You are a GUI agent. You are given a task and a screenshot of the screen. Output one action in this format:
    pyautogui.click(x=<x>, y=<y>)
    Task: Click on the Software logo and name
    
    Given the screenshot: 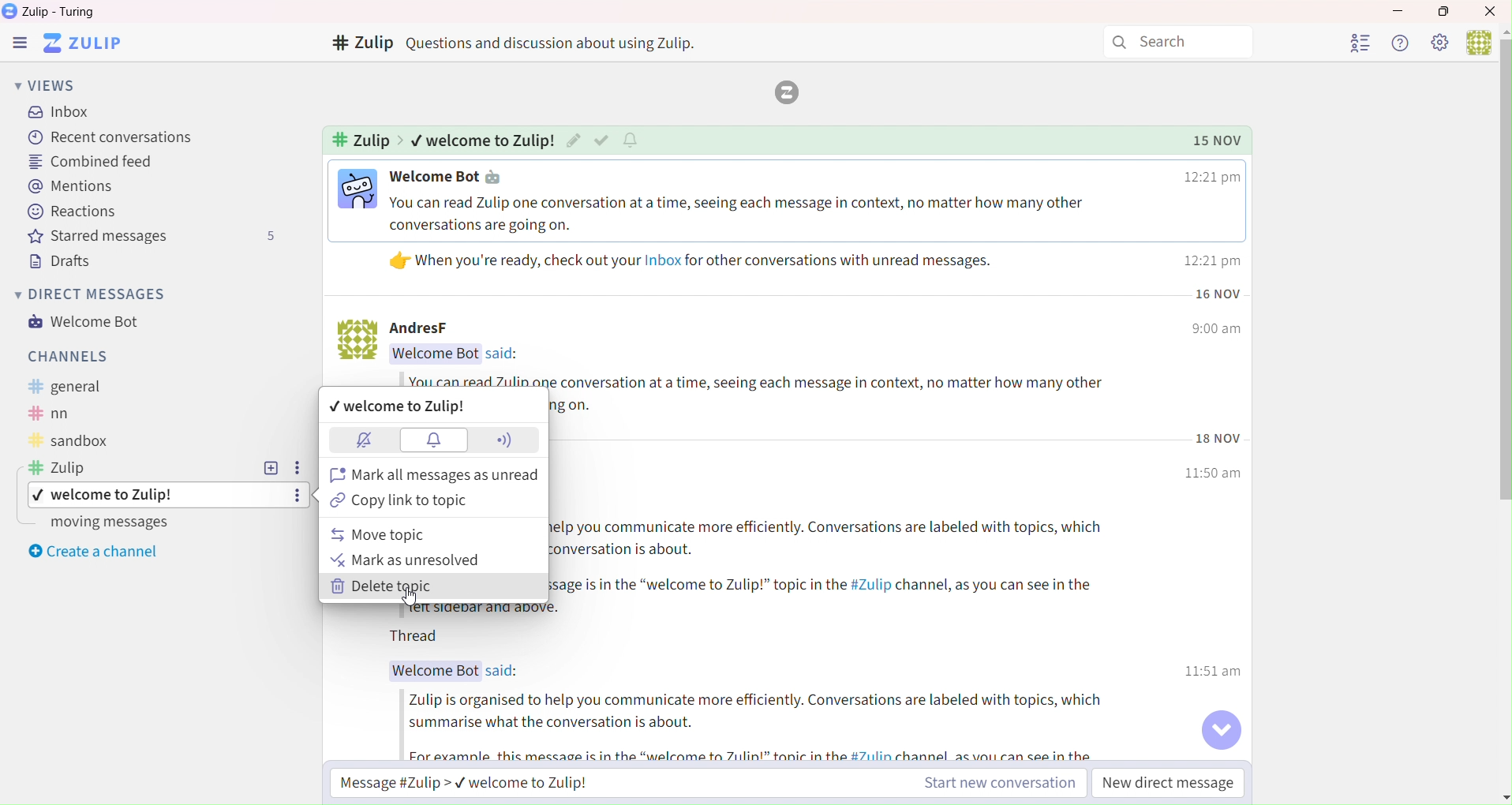 What is the action you would take?
    pyautogui.click(x=83, y=43)
    